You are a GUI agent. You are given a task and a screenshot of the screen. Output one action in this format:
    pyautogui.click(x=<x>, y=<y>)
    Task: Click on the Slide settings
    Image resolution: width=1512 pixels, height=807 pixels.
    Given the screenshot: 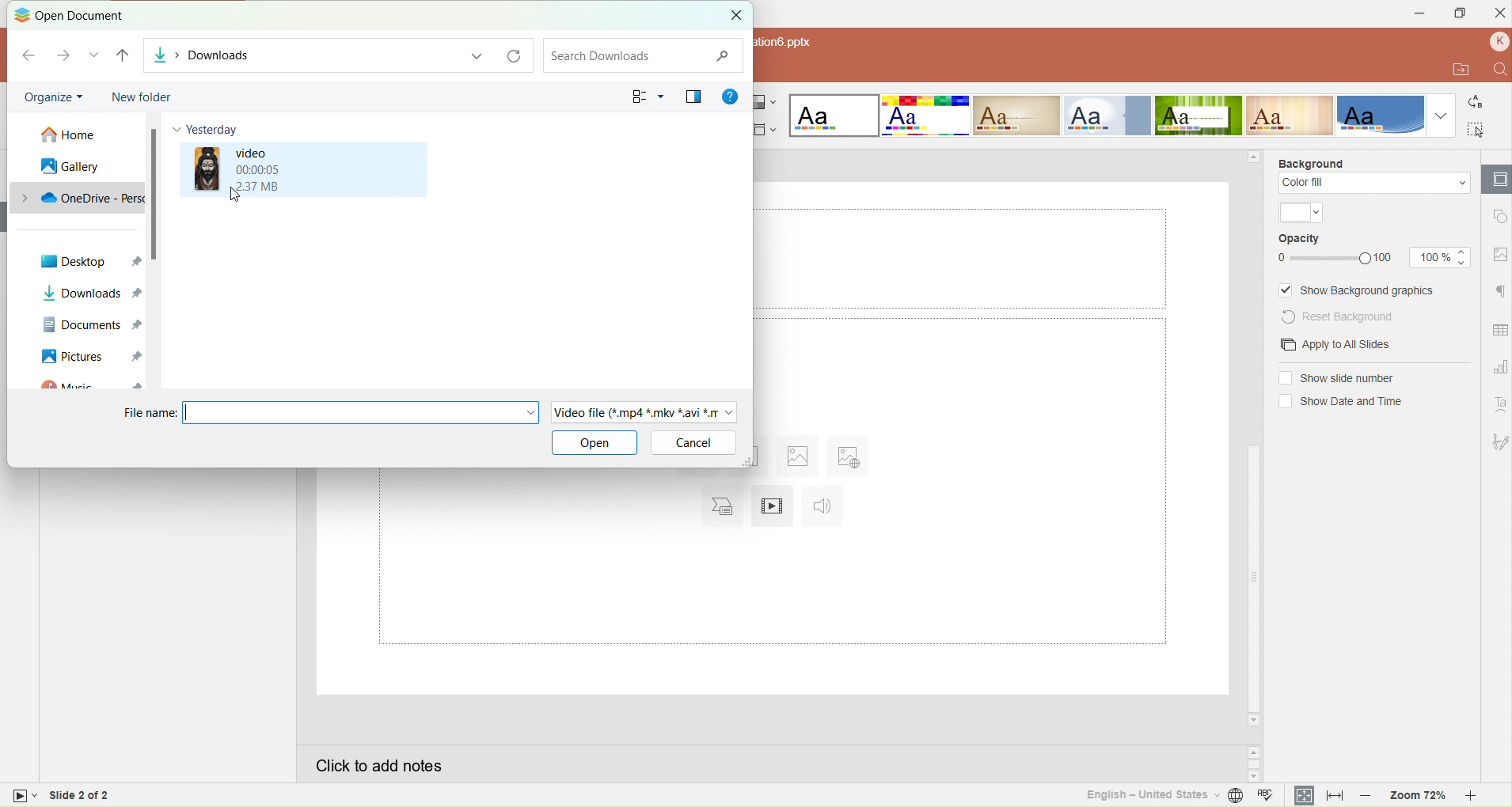 What is the action you would take?
    pyautogui.click(x=1497, y=180)
    